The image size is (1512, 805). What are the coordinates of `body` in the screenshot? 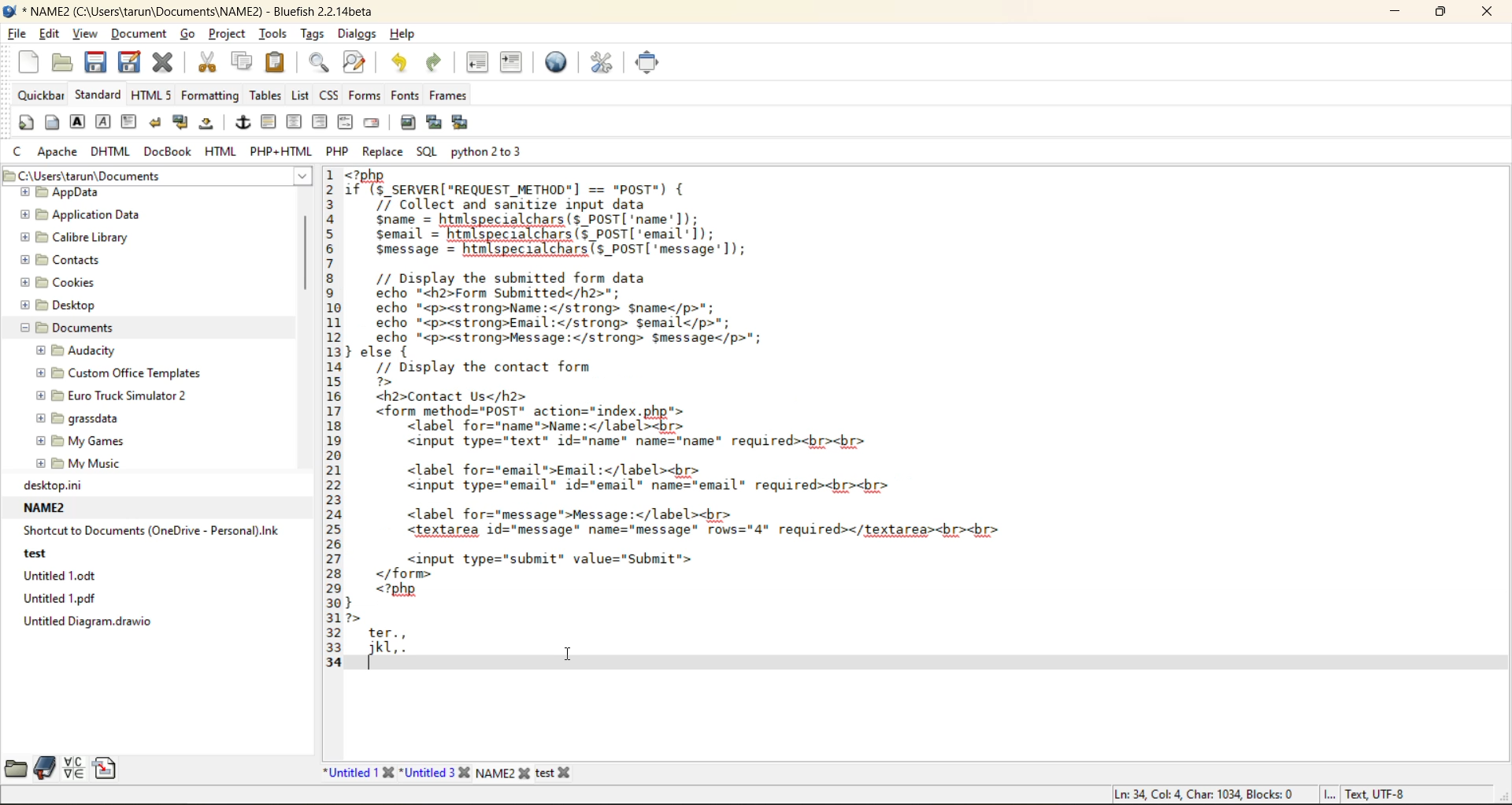 It's located at (50, 121).